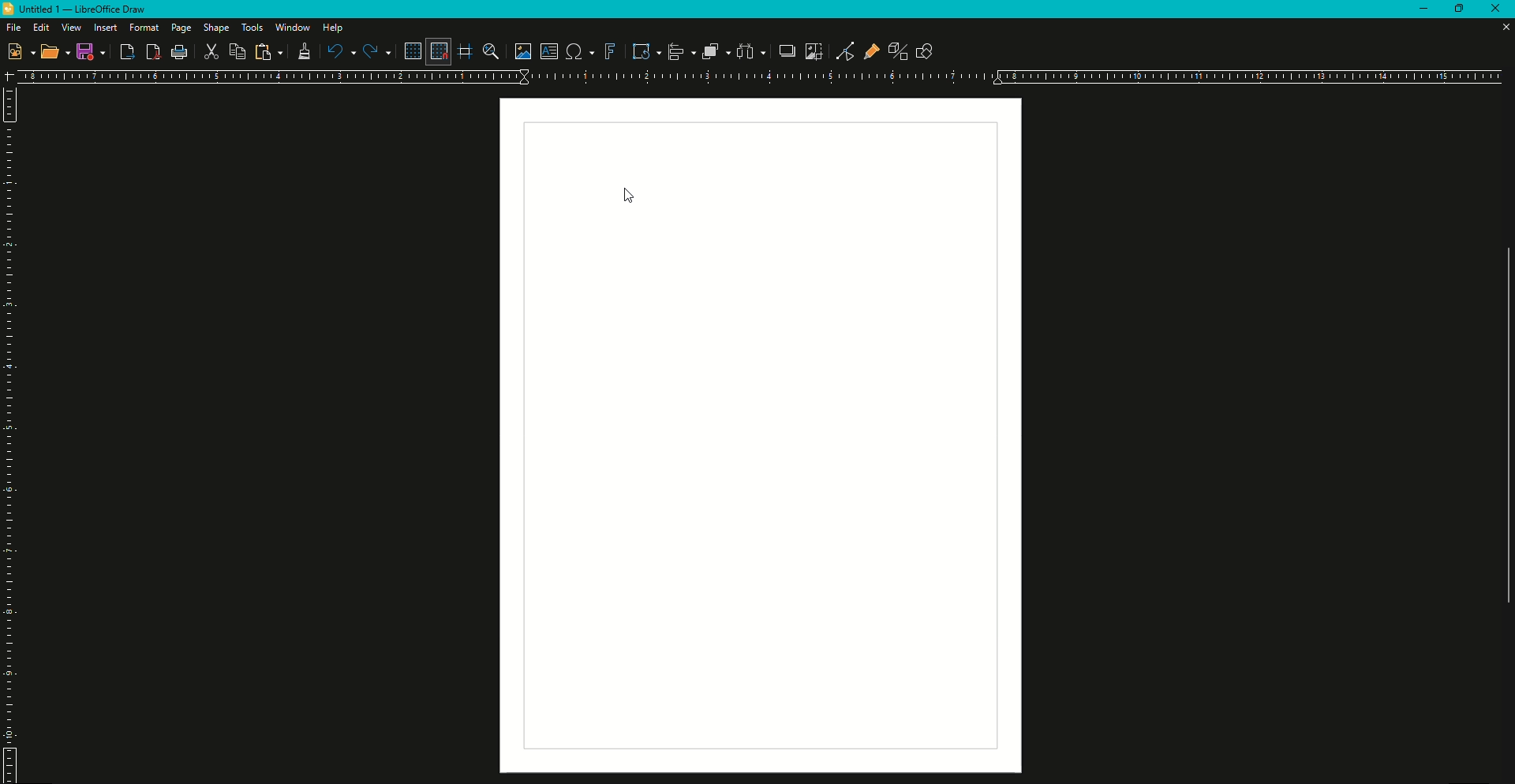 This screenshot has width=1515, height=784. Describe the element at coordinates (213, 28) in the screenshot. I see `Shape` at that location.